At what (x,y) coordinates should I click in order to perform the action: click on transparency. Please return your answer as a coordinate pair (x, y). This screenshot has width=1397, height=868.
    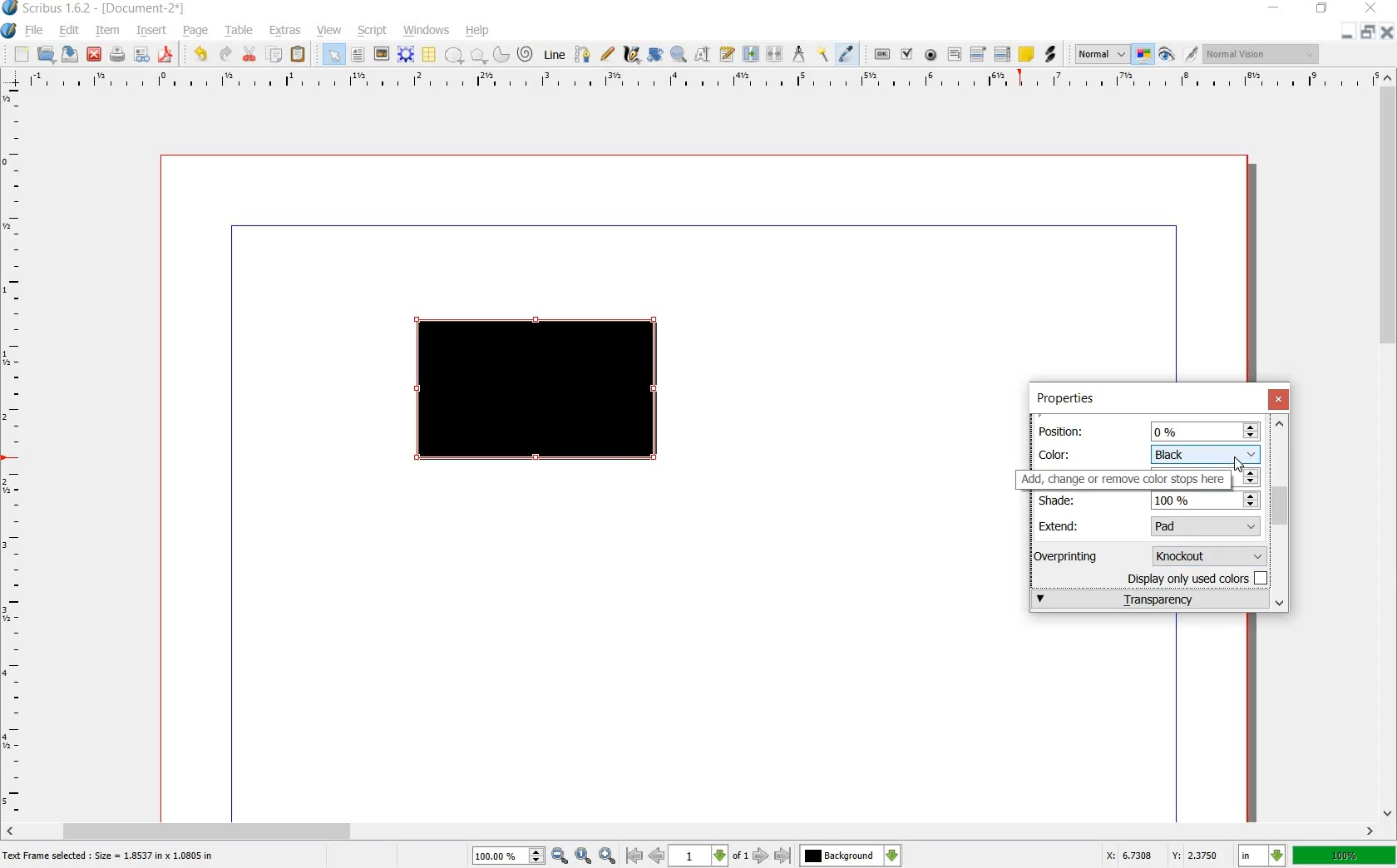
    Looking at the image, I should click on (1148, 599).